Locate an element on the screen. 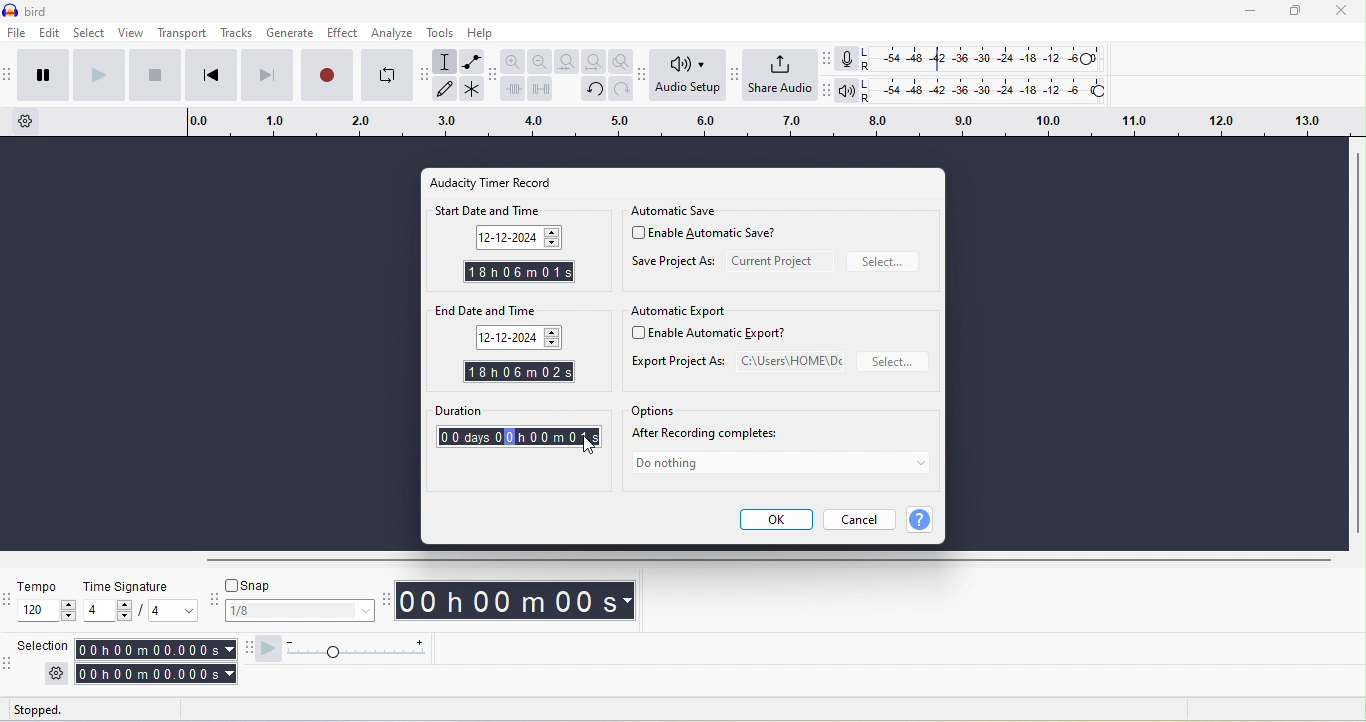 The image size is (1366, 722). effect is located at coordinates (340, 34).